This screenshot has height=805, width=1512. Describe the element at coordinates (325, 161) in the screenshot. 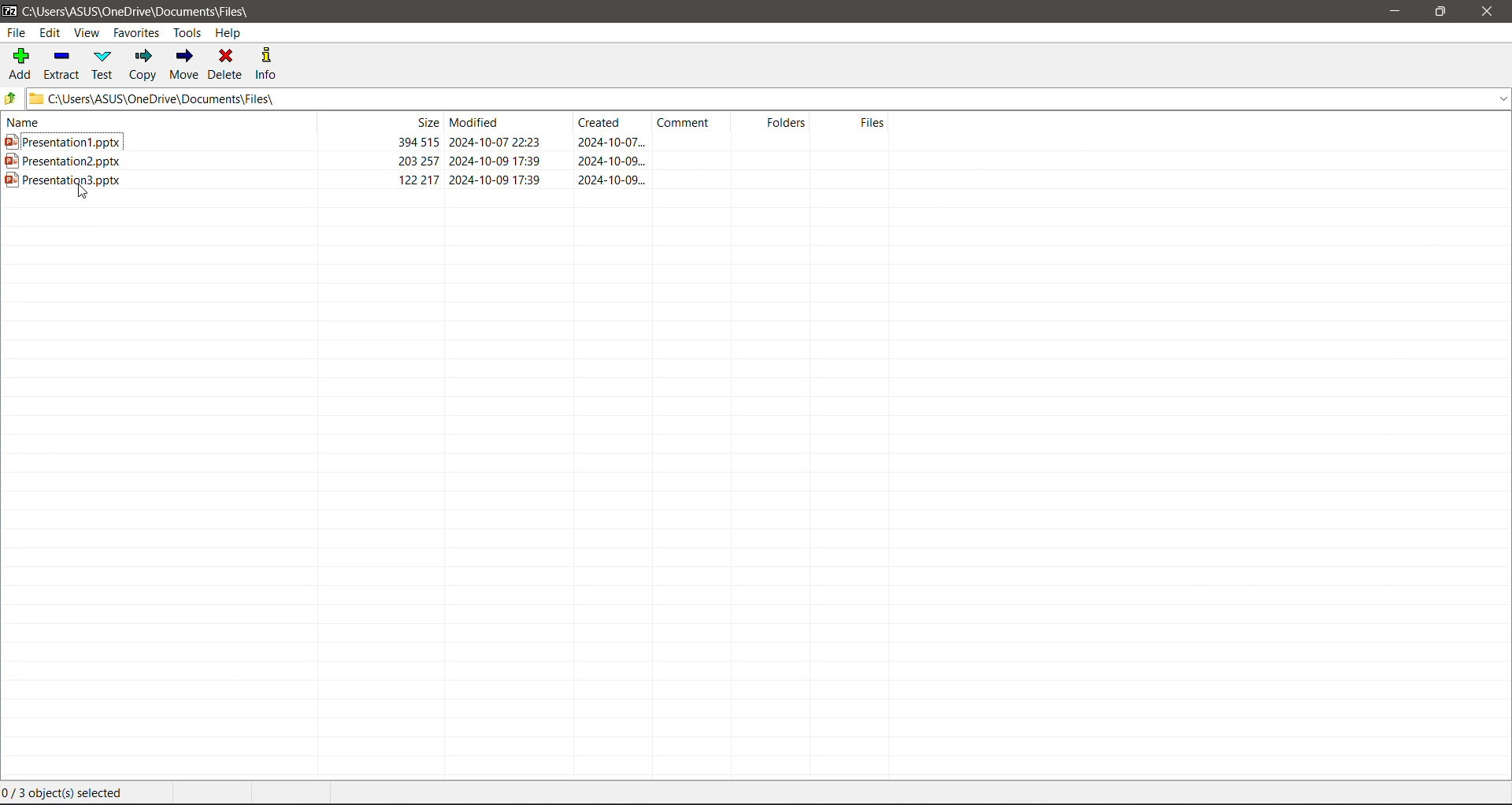

I see `Presetation2` at that location.